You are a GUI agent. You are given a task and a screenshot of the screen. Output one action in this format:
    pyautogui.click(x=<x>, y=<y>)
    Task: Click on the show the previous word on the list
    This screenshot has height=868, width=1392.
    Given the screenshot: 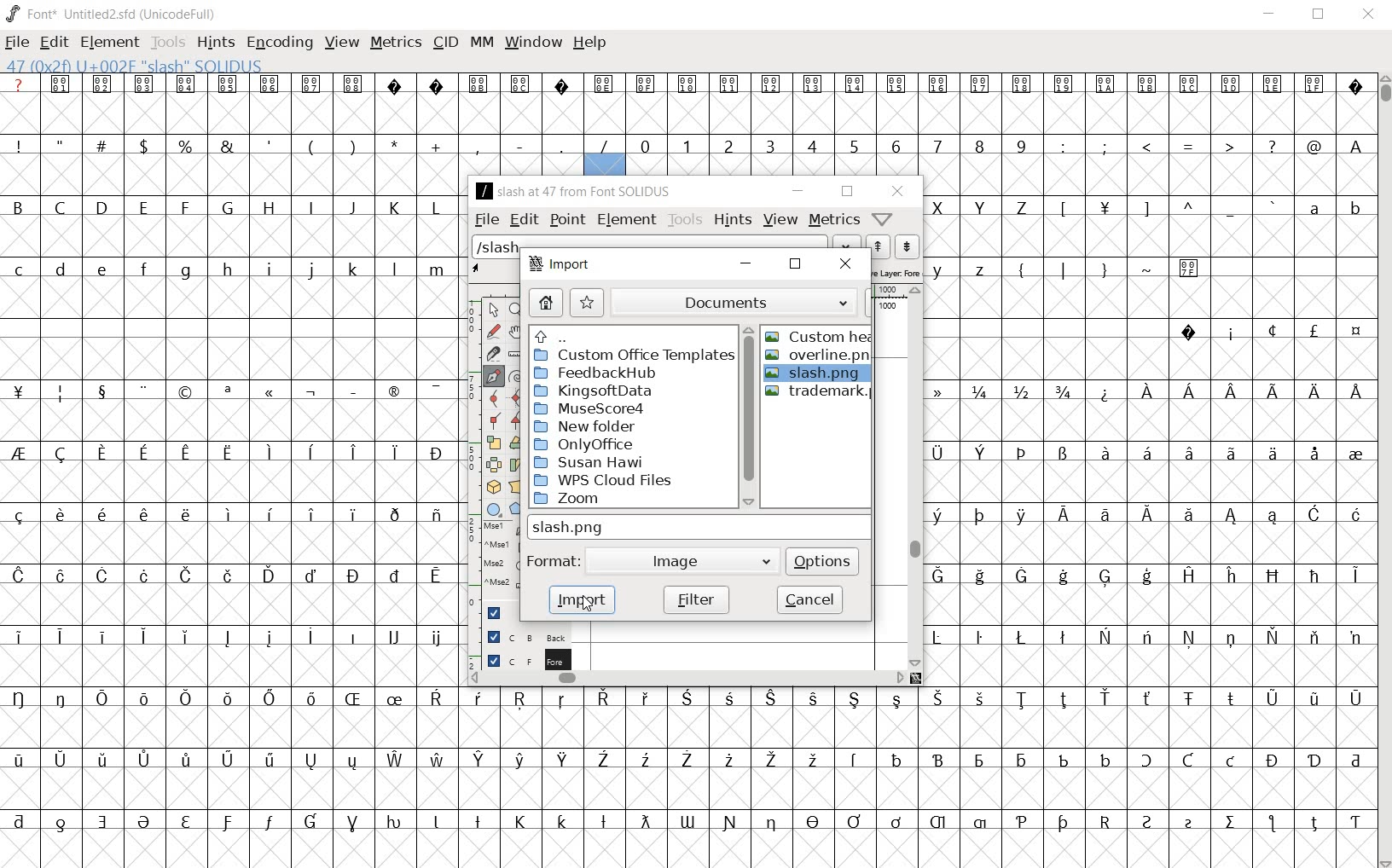 What is the action you would take?
    pyautogui.click(x=908, y=246)
    